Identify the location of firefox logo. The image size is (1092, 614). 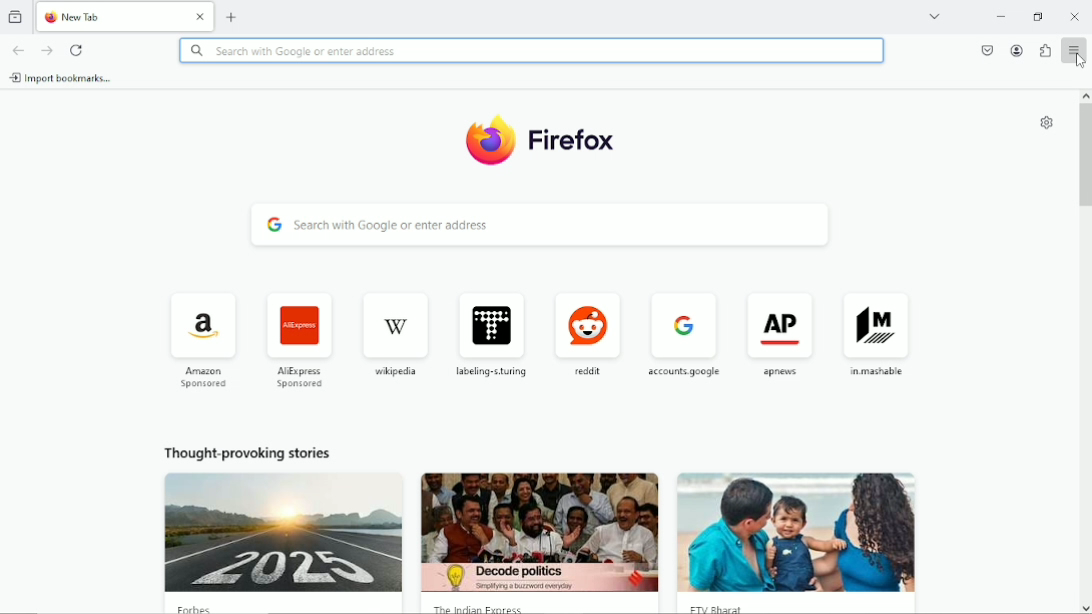
(50, 19).